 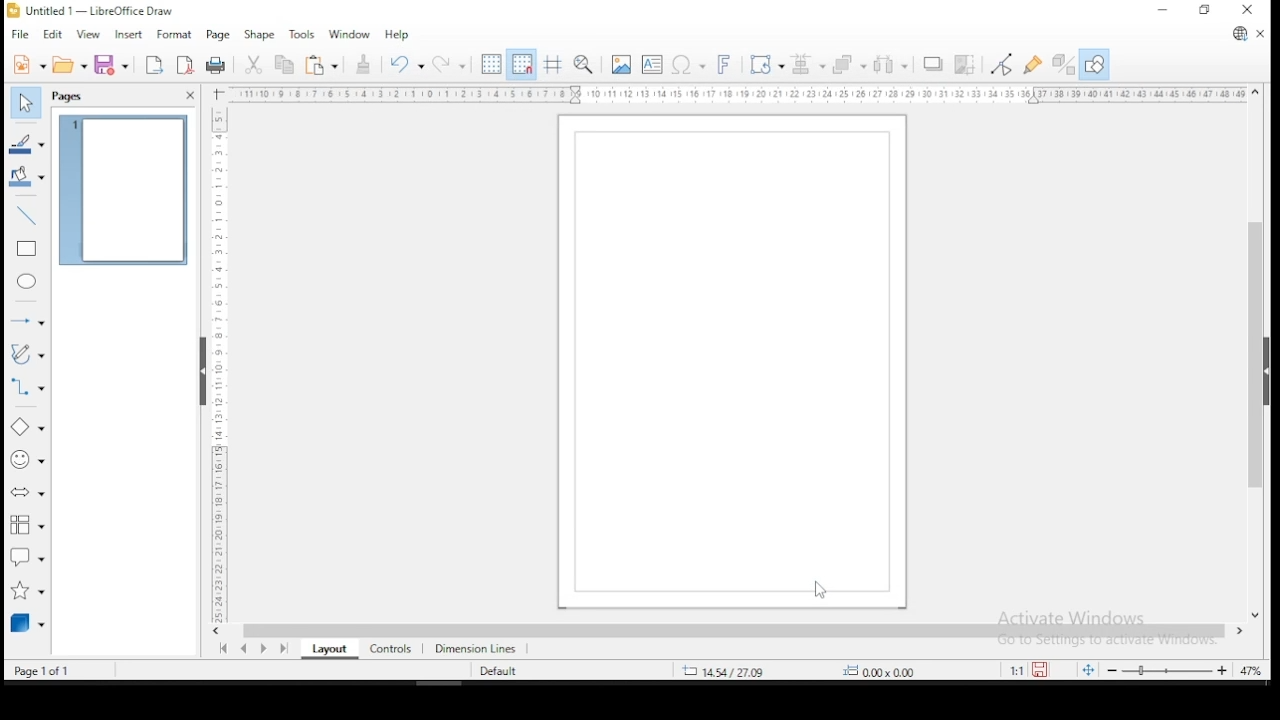 I want to click on crop, so click(x=965, y=64).